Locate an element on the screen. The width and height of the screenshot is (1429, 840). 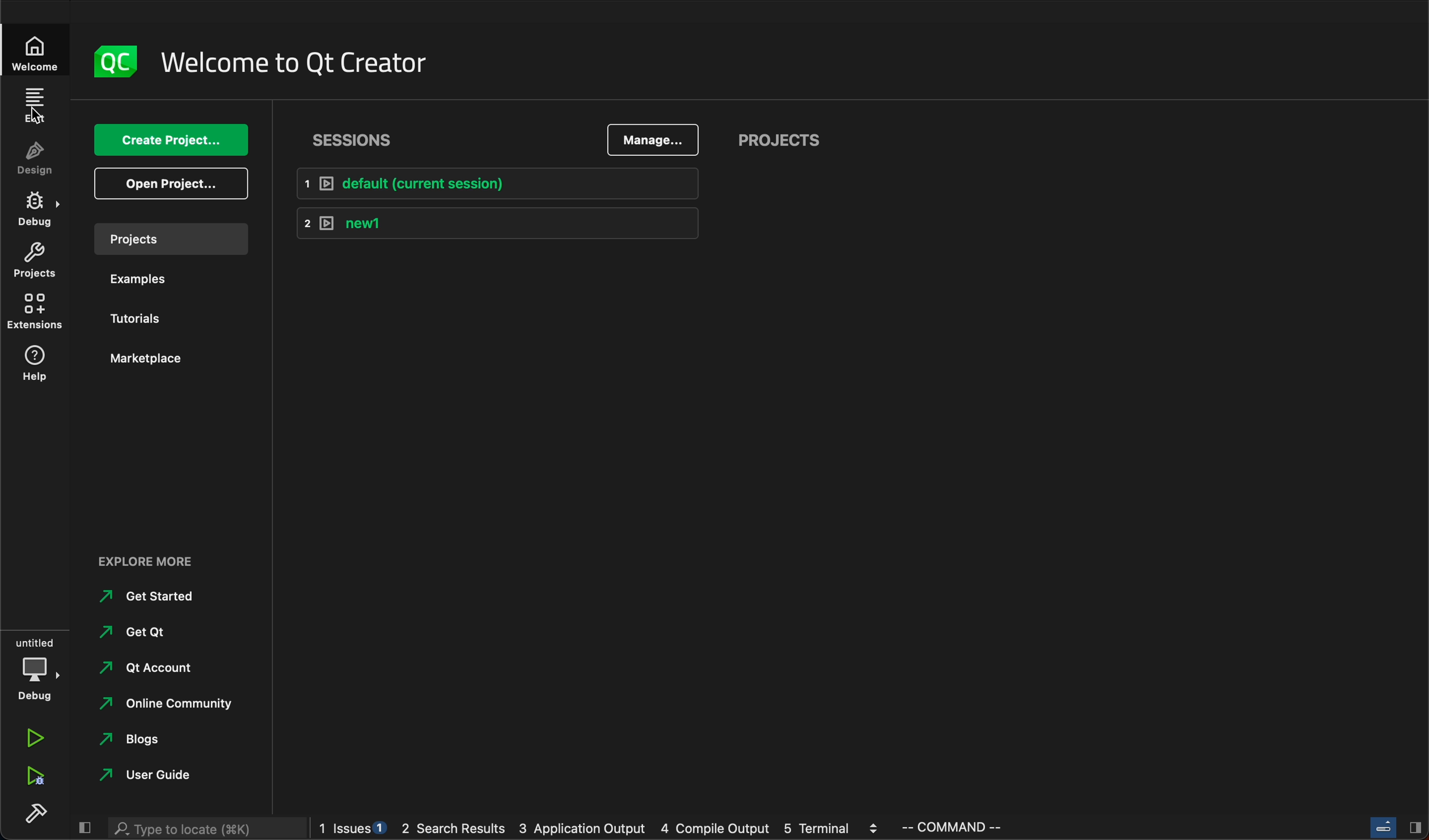
debug is located at coordinates (34, 668).